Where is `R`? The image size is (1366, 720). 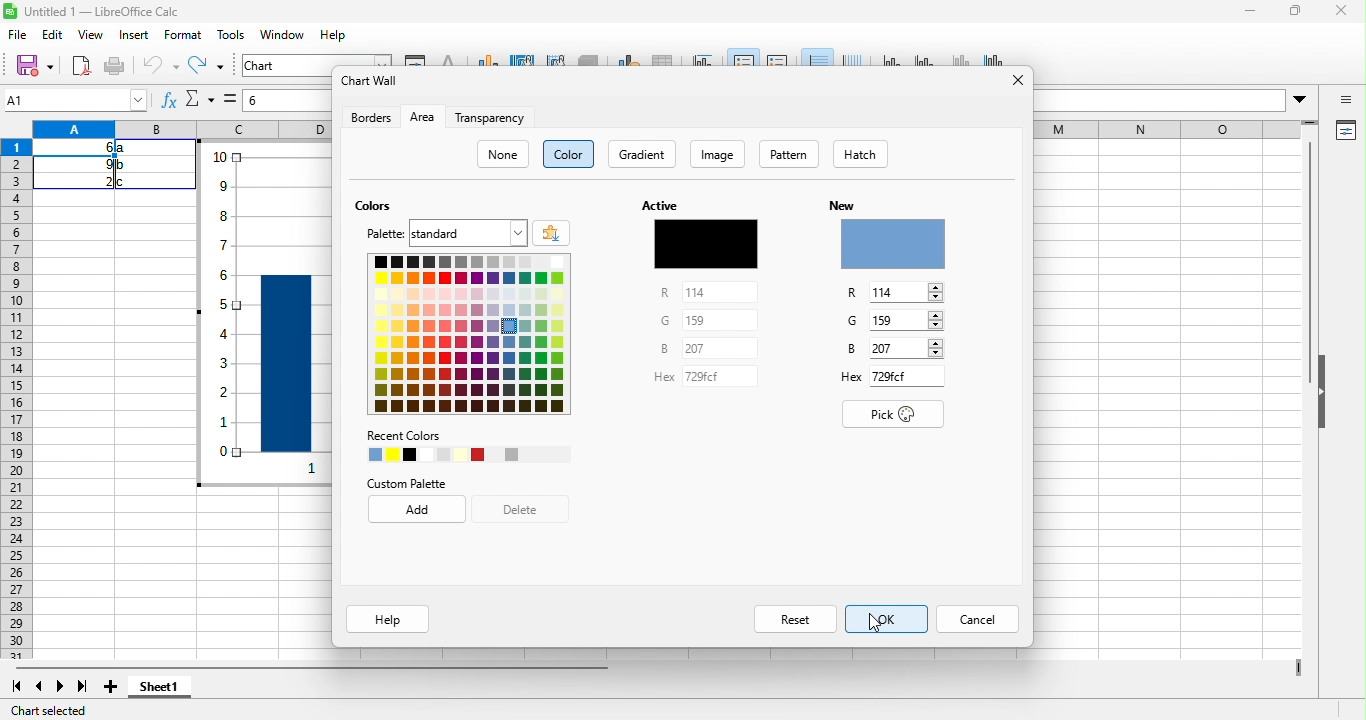 R is located at coordinates (852, 296).